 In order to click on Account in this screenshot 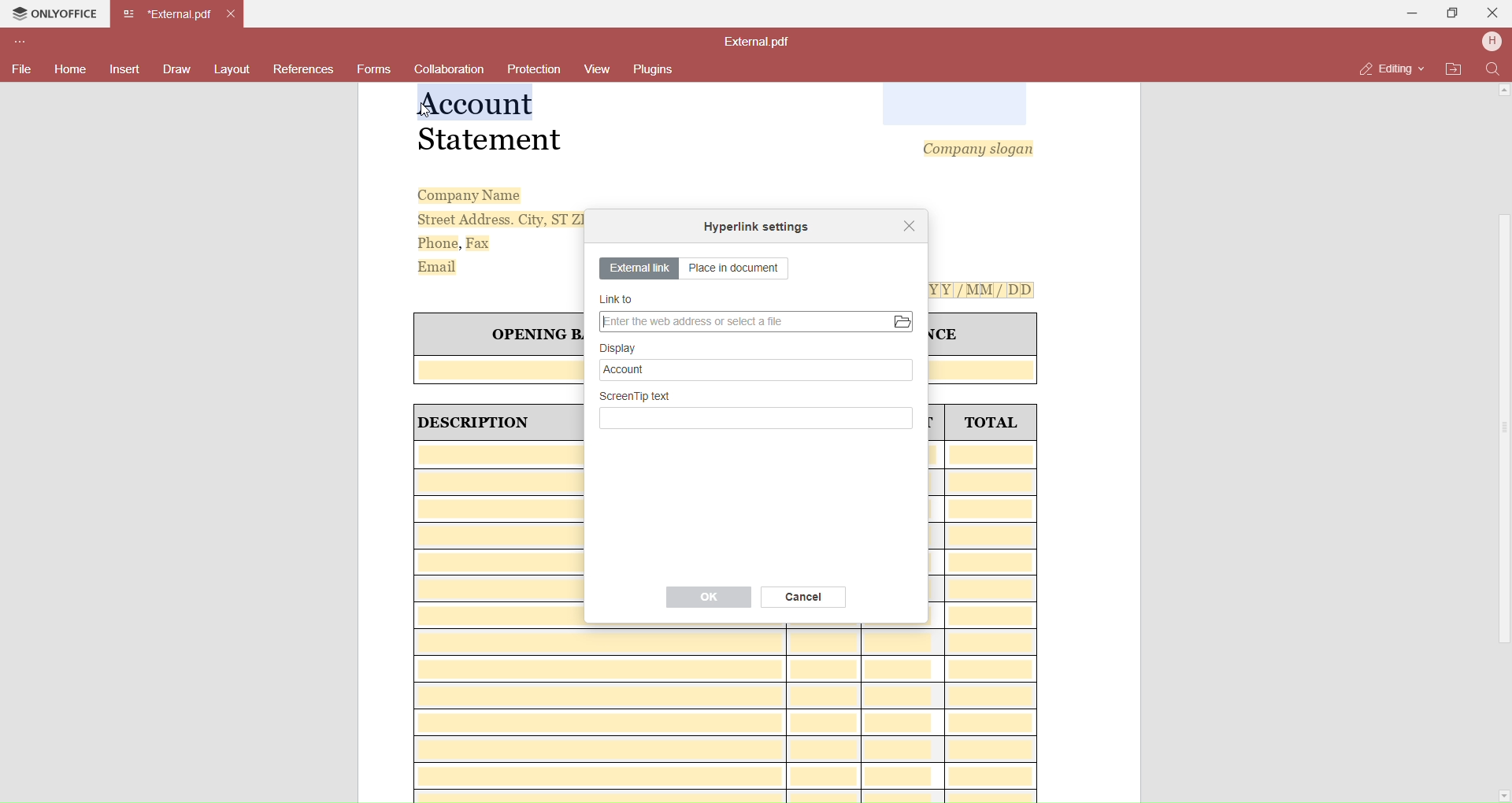, I will do `click(755, 369)`.